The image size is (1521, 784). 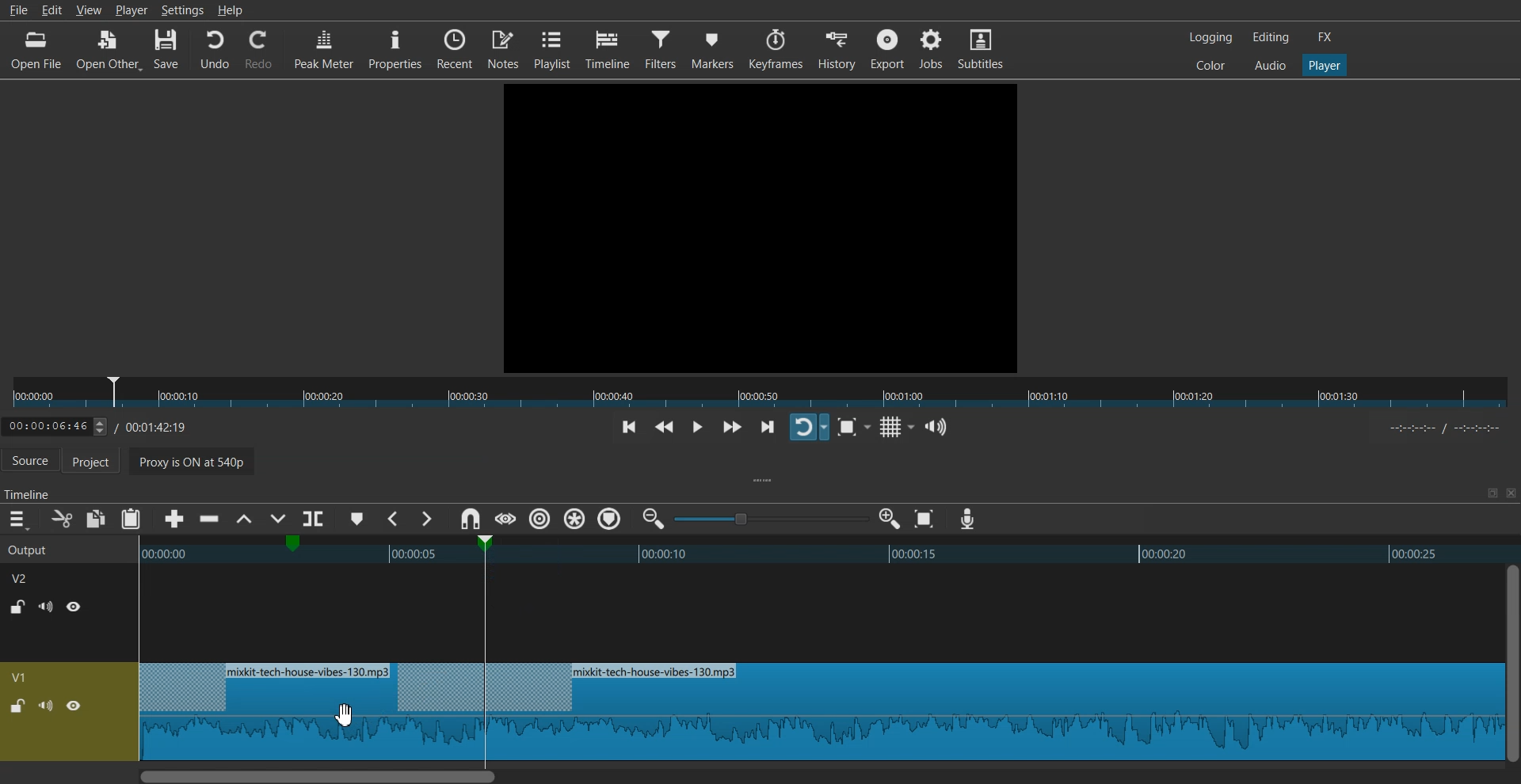 What do you see at coordinates (74, 606) in the screenshot?
I see `Hide` at bounding box center [74, 606].